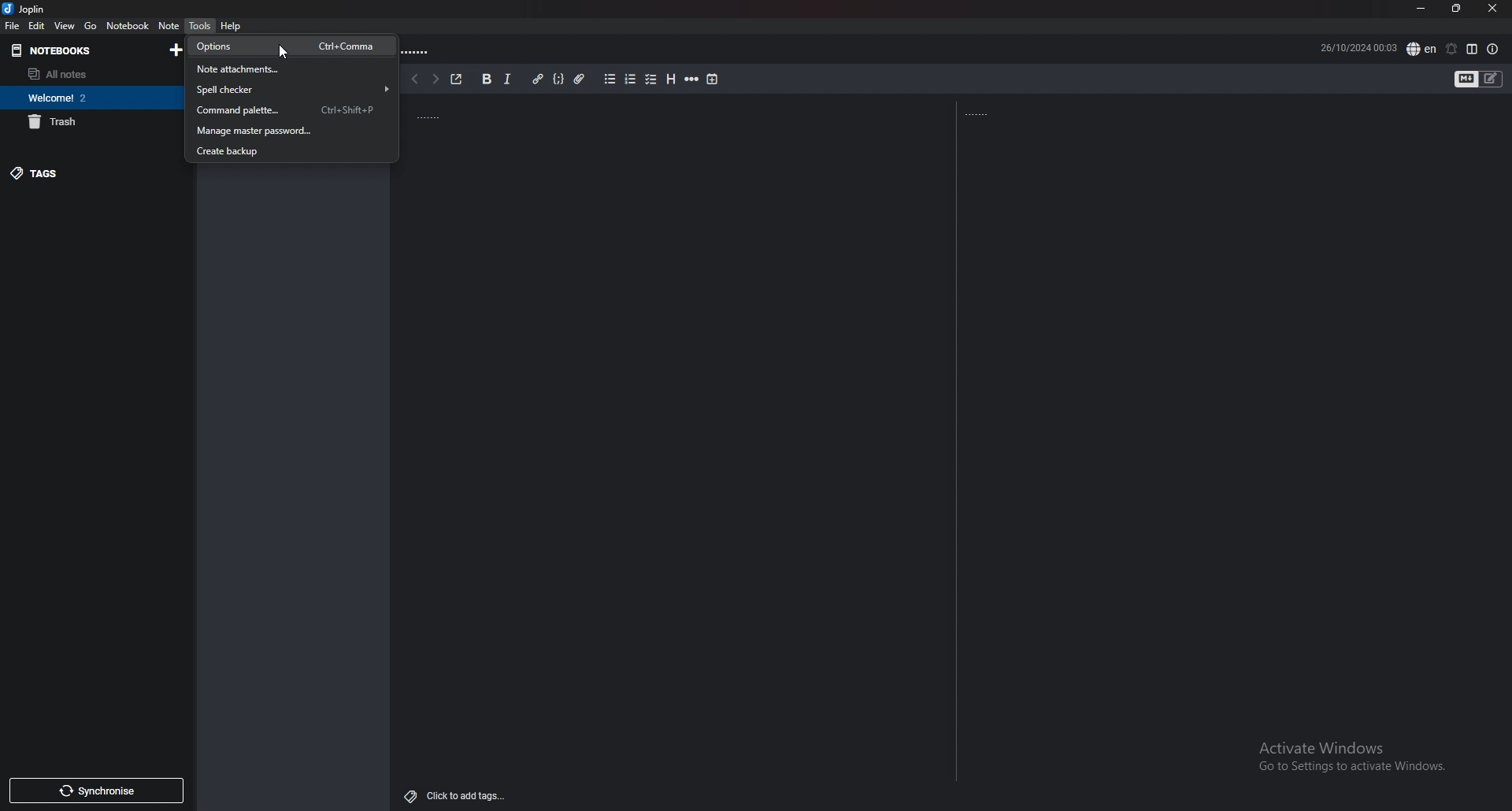 The image size is (1512, 811). Describe the element at coordinates (1421, 48) in the screenshot. I see `spell check` at that location.